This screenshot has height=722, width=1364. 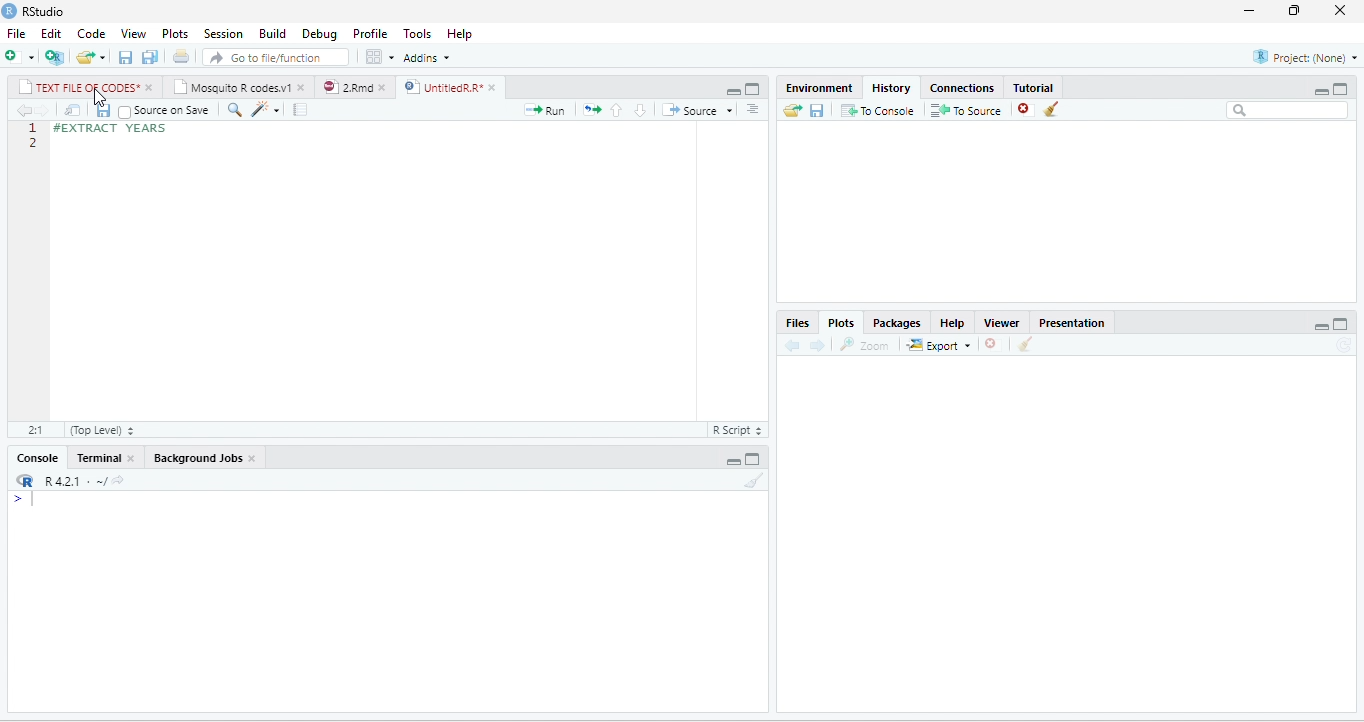 What do you see at coordinates (793, 110) in the screenshot?
I see `open folder` at bounding box center [793, 110].